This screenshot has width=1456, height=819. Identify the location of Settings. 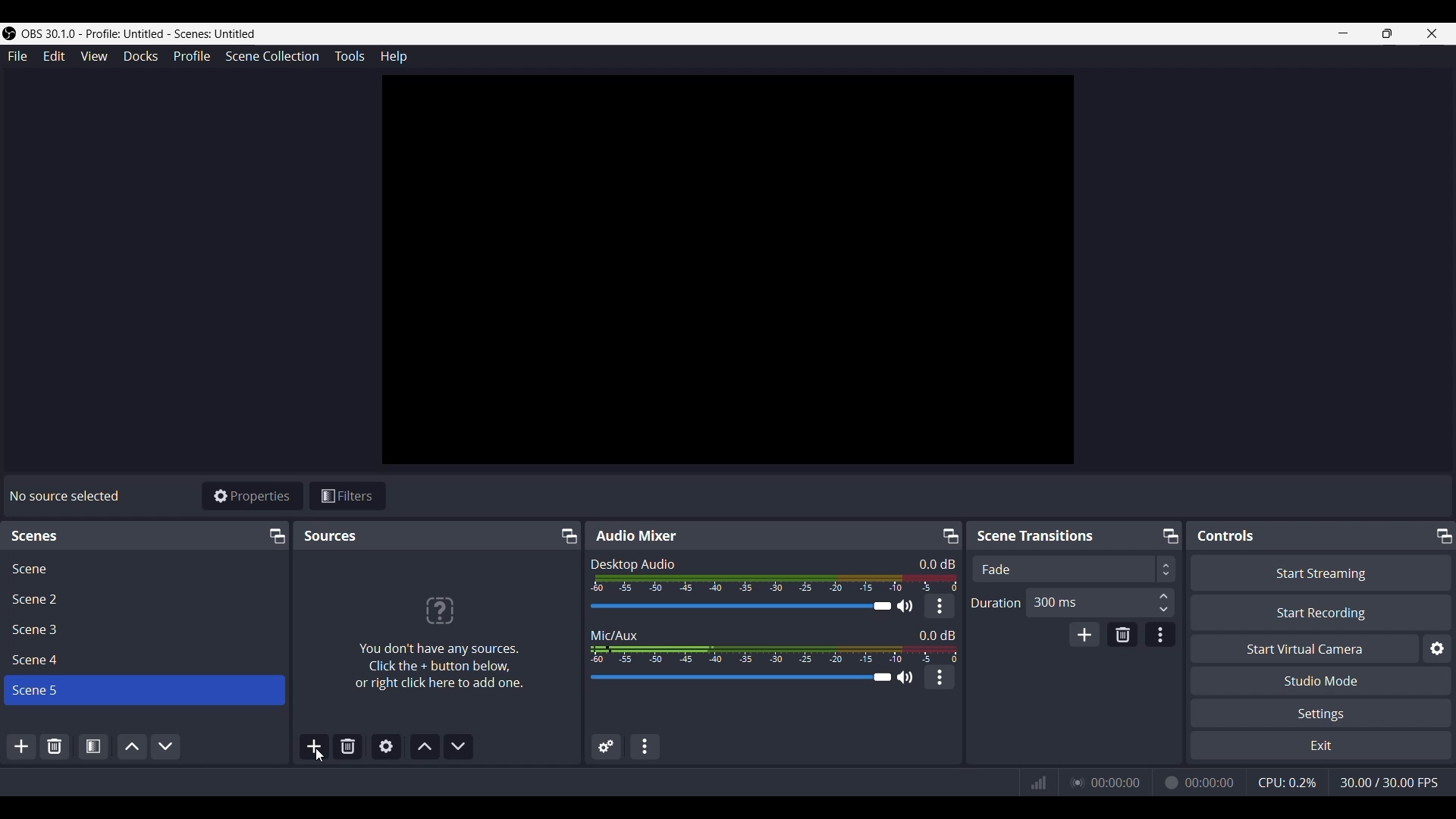
(1321, 714).